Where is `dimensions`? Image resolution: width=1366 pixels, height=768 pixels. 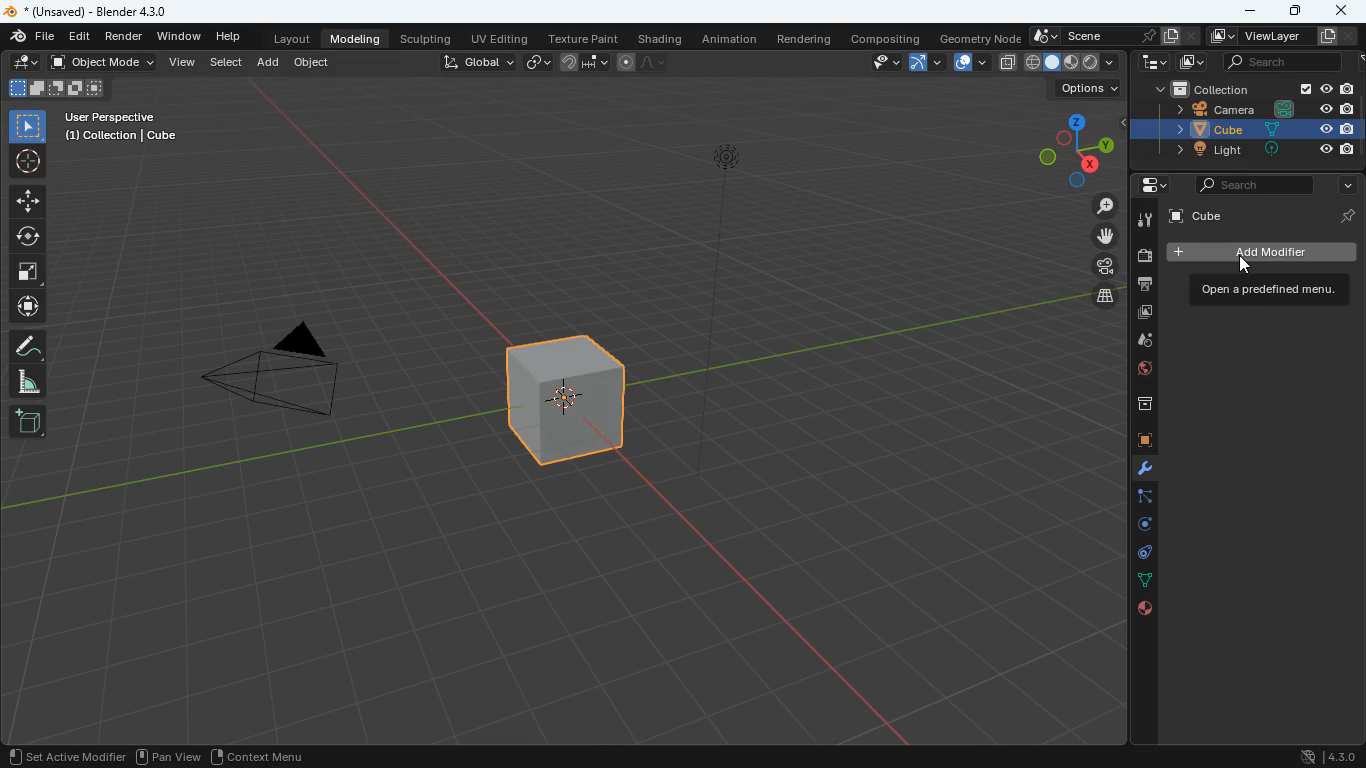 dimensions is located at coordinates (1077, 149).